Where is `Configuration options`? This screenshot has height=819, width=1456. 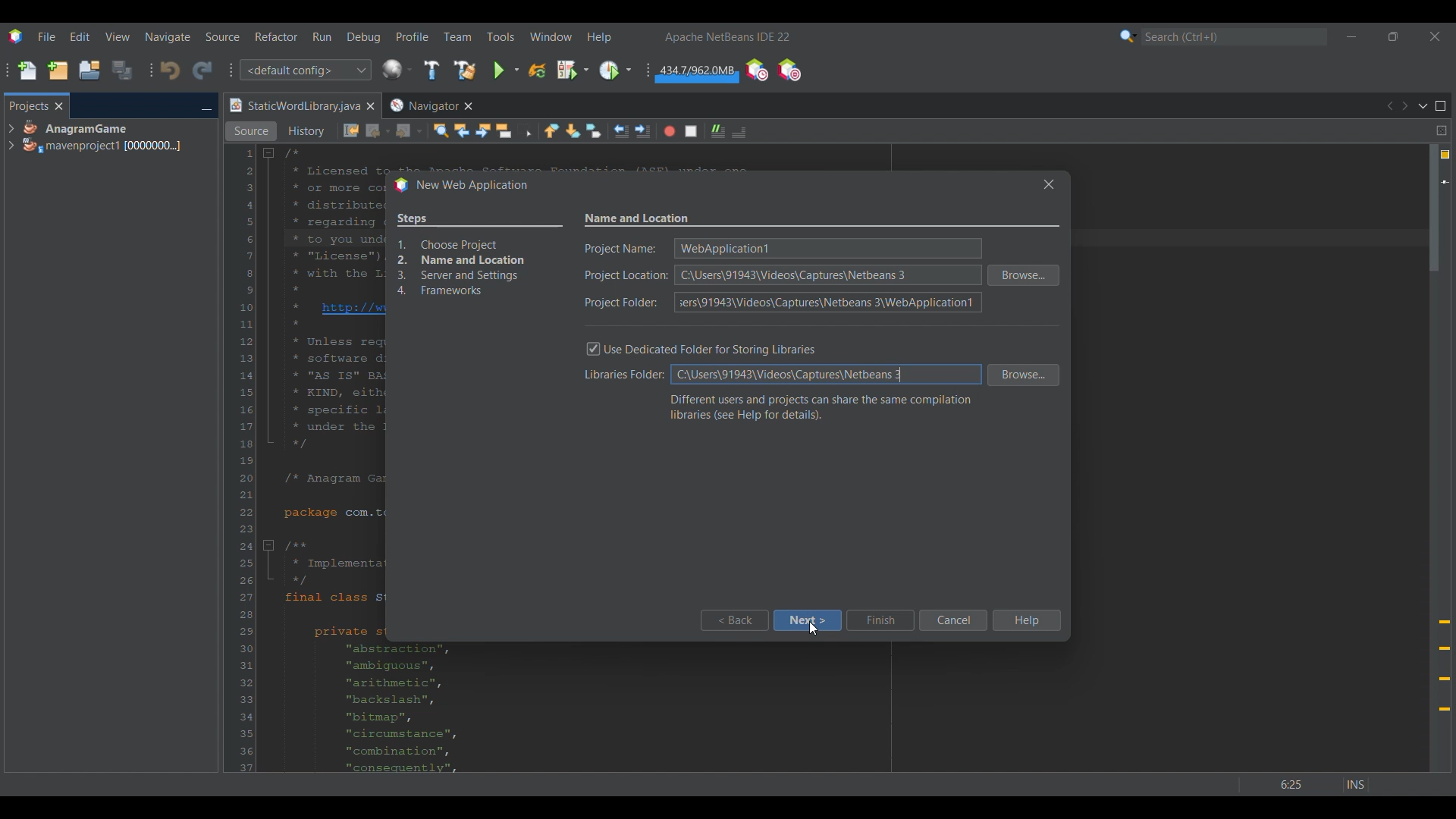
Configuration options is located at coordinates (305, 70).